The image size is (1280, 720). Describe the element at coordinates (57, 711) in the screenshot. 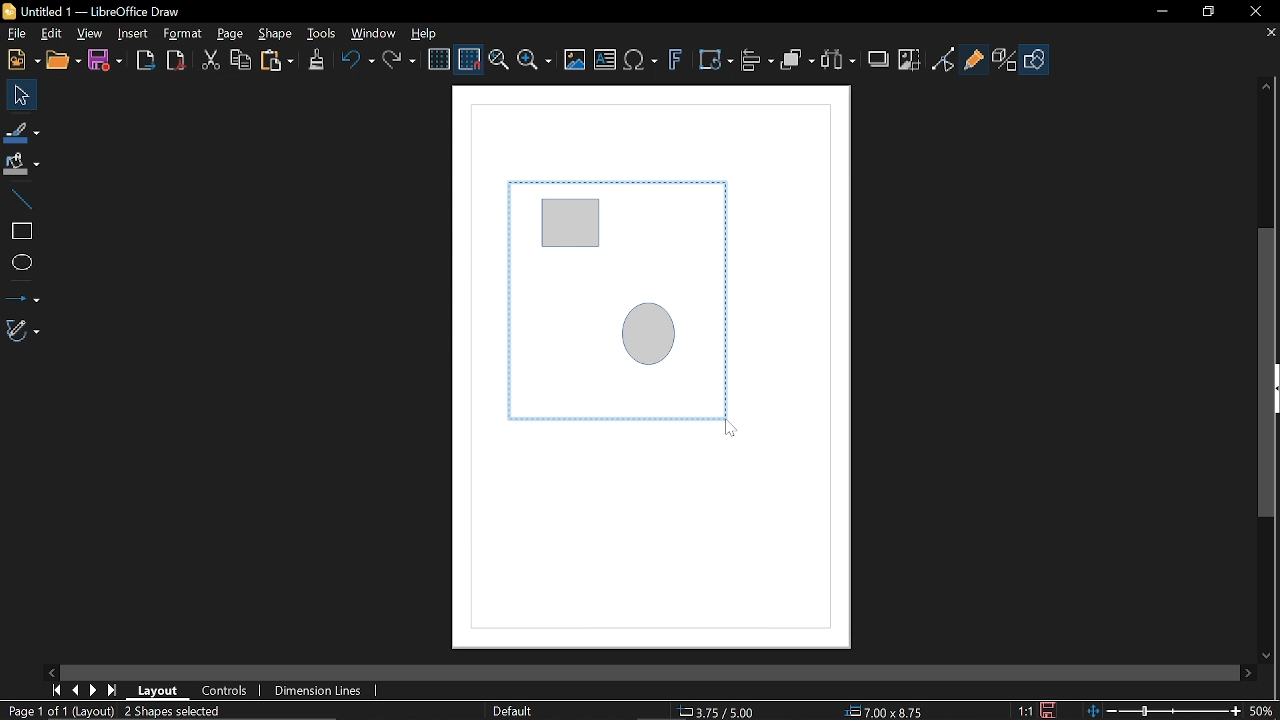

I see `Current page` at that location.